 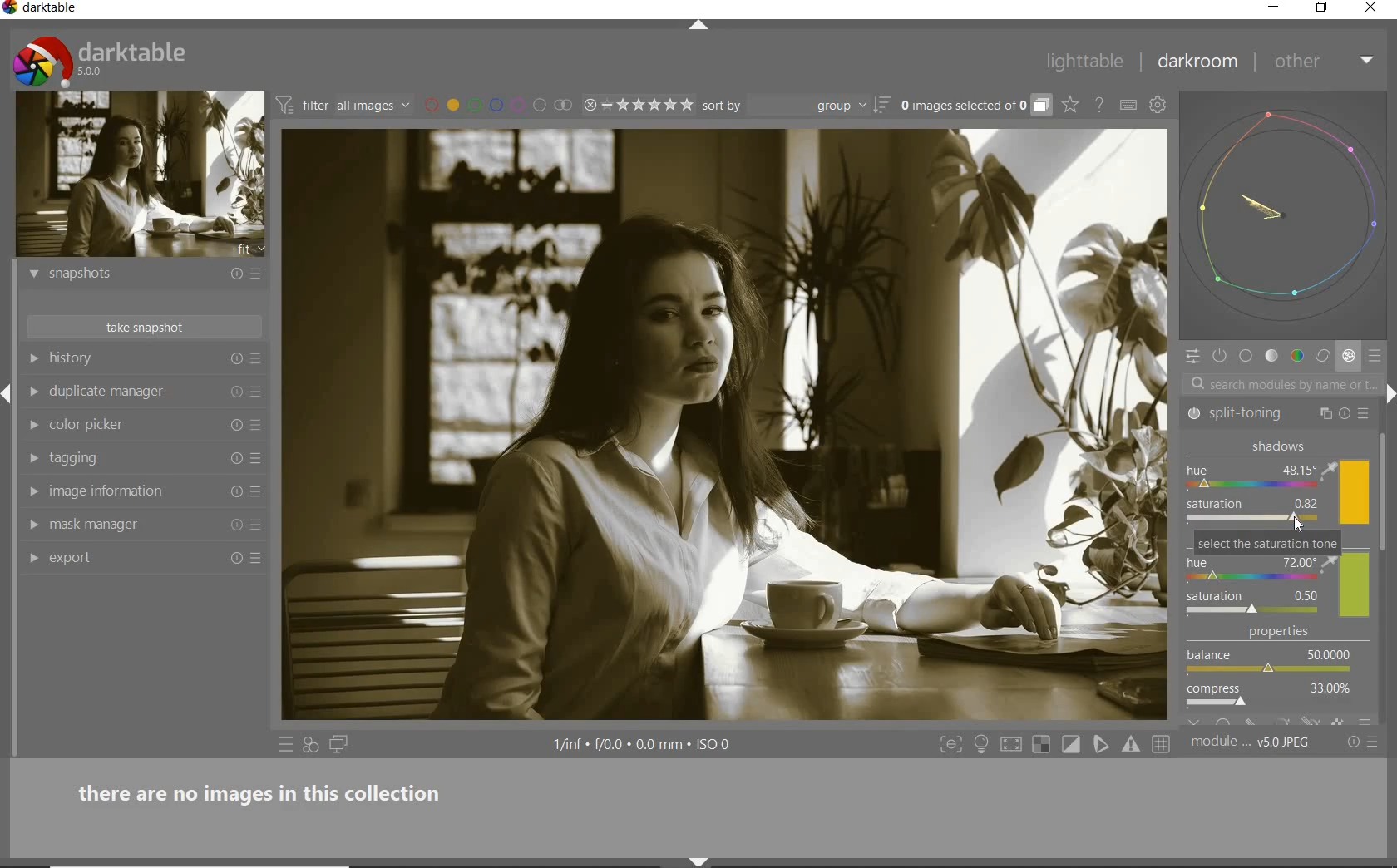 What do you see at coordinates (132, 524) in the screenshot?
I see `mask manager` at bounding box center [132, 524].